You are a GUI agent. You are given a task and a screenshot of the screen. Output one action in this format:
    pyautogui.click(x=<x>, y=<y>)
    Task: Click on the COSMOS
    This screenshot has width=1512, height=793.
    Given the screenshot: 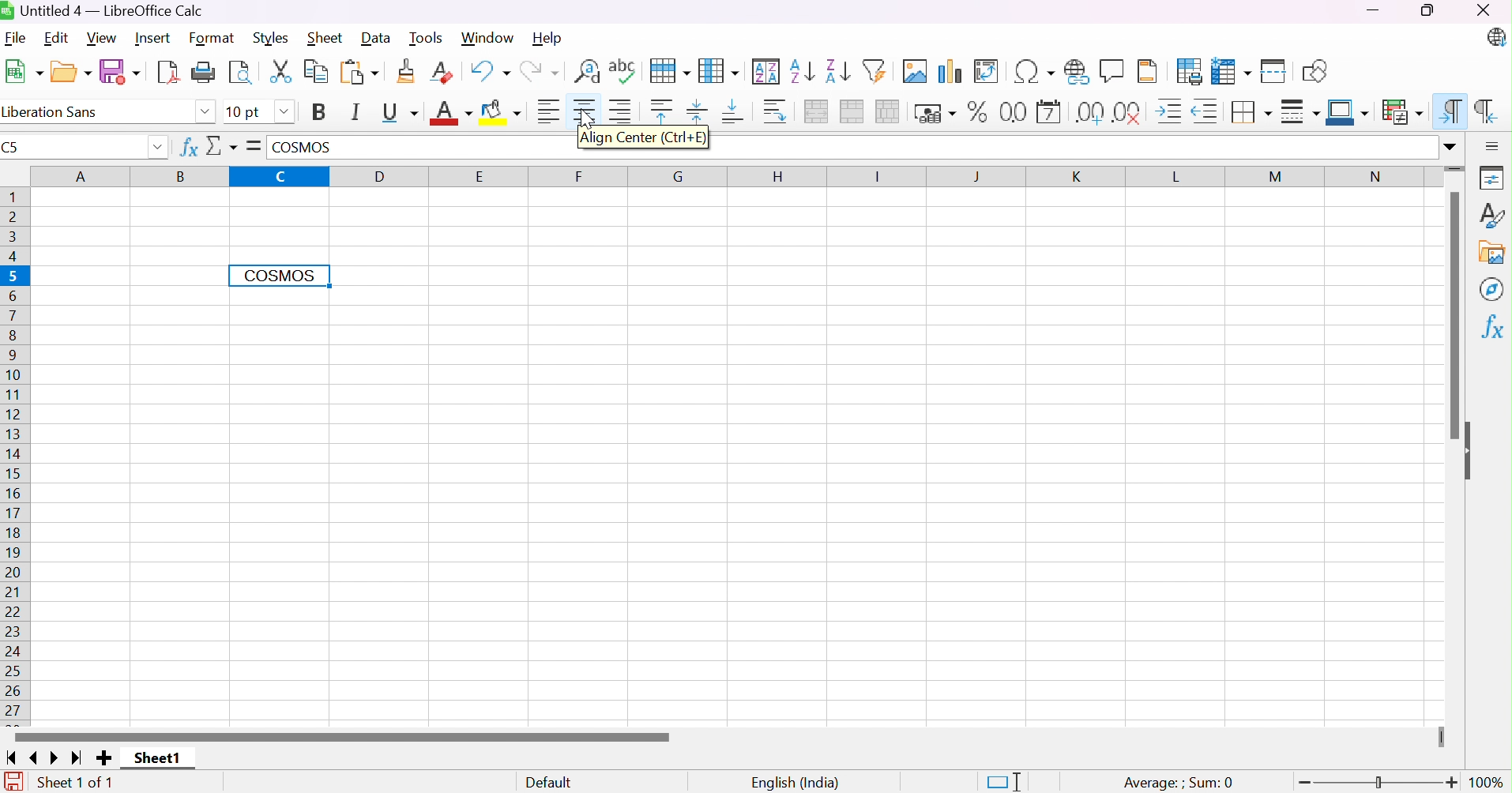 What is the action you would take?
    pyautogui.click(x=305, y=149)
    